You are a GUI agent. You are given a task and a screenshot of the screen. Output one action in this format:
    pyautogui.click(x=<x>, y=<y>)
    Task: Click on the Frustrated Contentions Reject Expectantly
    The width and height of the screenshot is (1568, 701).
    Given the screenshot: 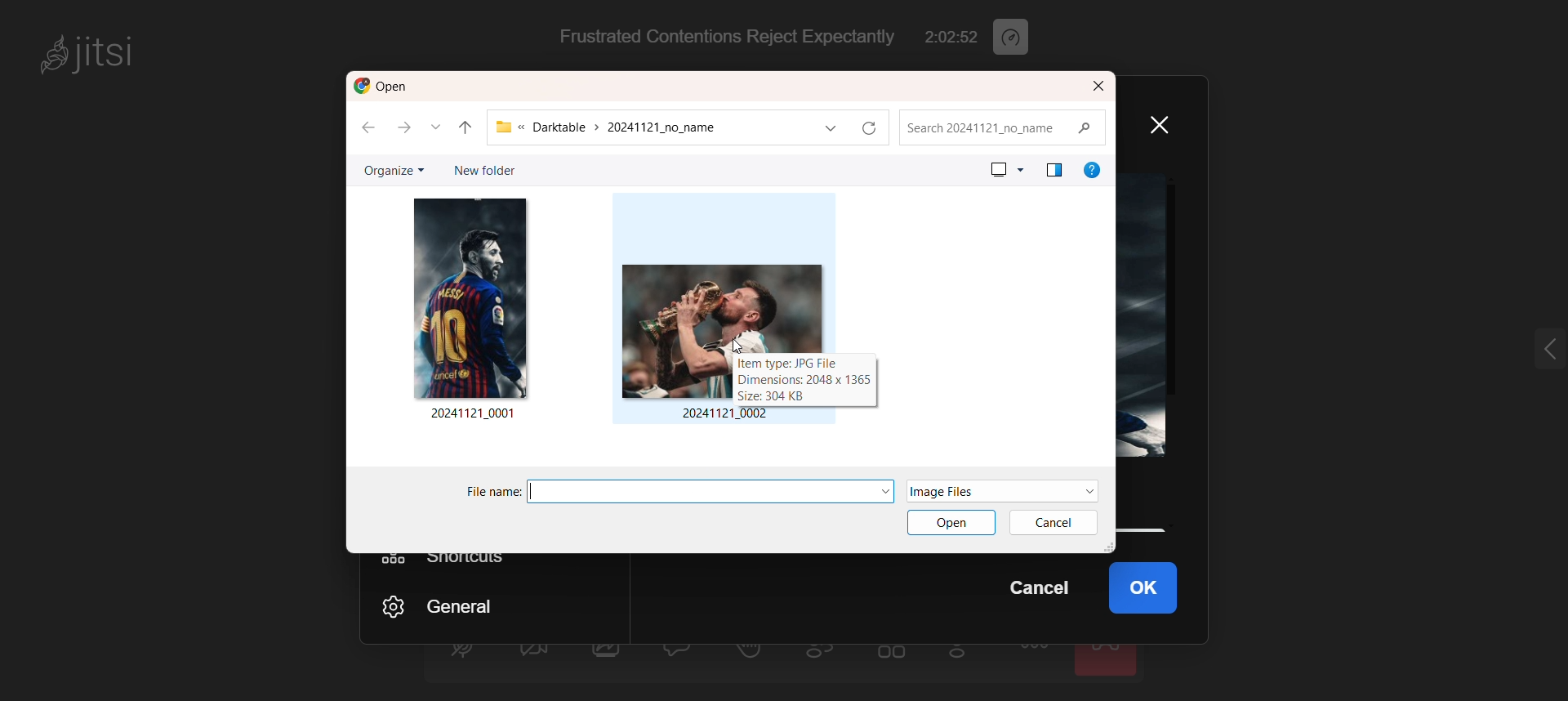 What is the action you would take?
    pyautogui.click(x=717, y=37)
    